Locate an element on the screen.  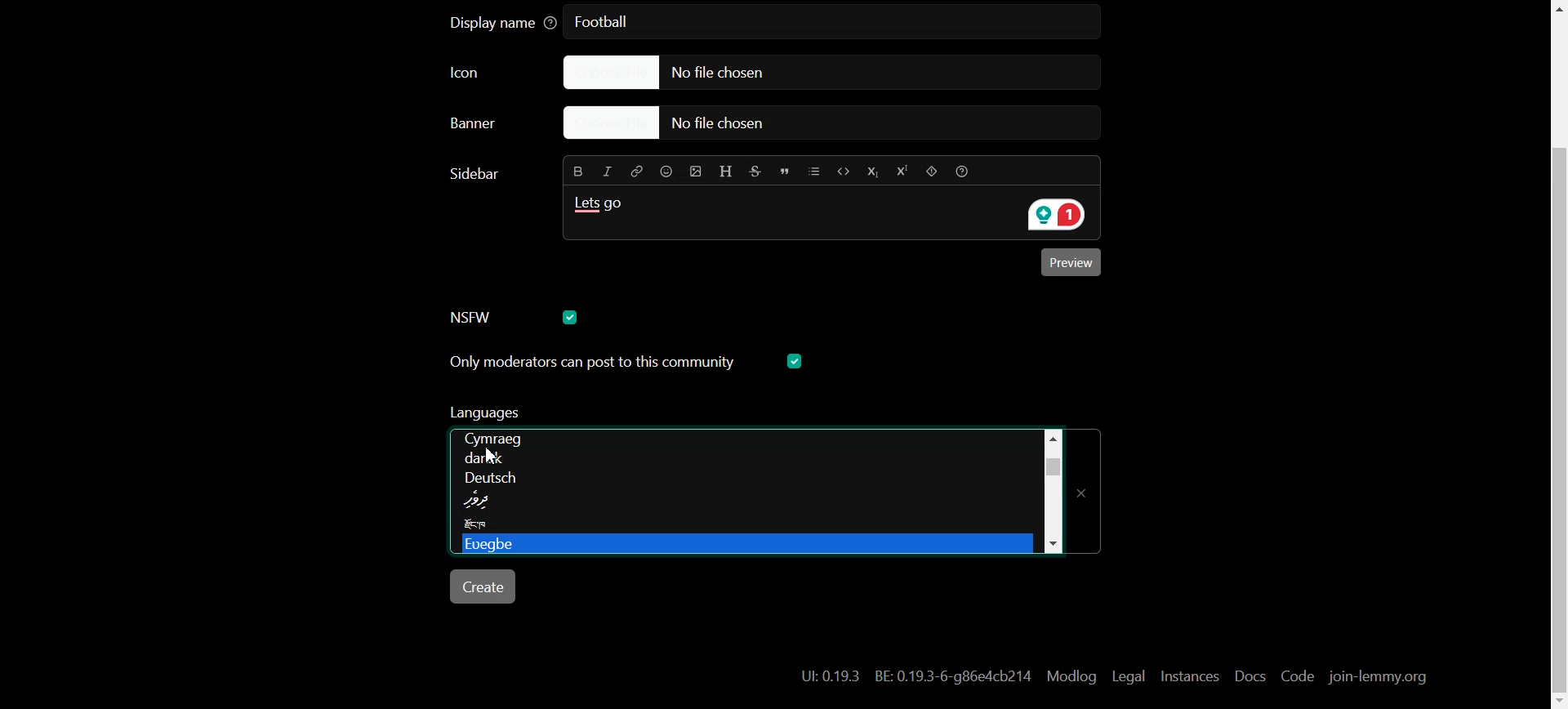
Text is located at coordinates (478, 173).